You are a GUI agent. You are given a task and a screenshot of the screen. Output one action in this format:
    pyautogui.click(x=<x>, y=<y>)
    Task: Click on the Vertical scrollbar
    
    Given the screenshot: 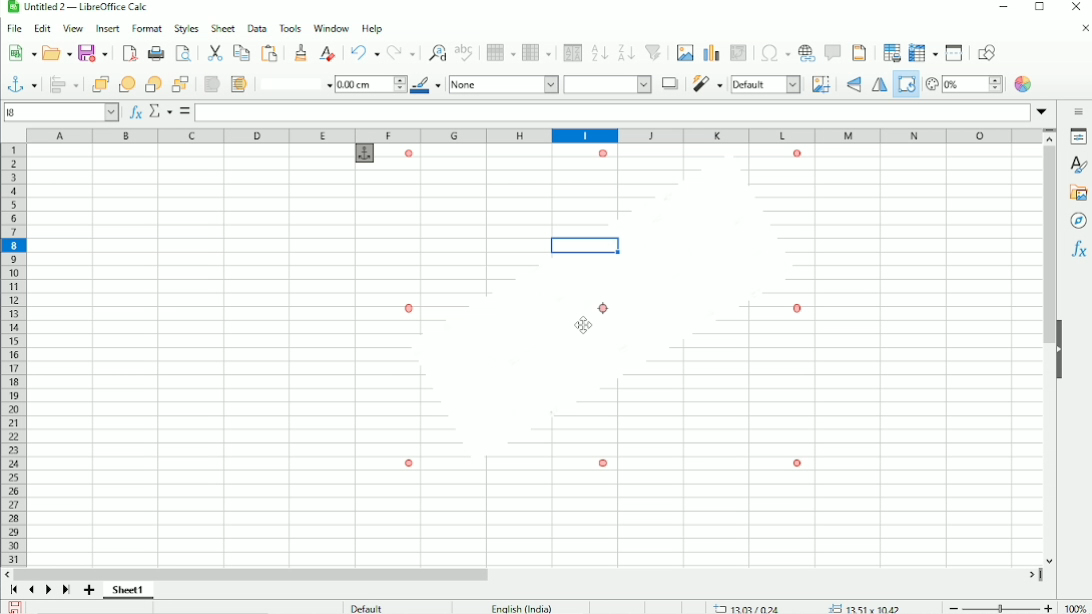 What is the action you would take?
    pyautogui.click(x=1050, y=237)
    